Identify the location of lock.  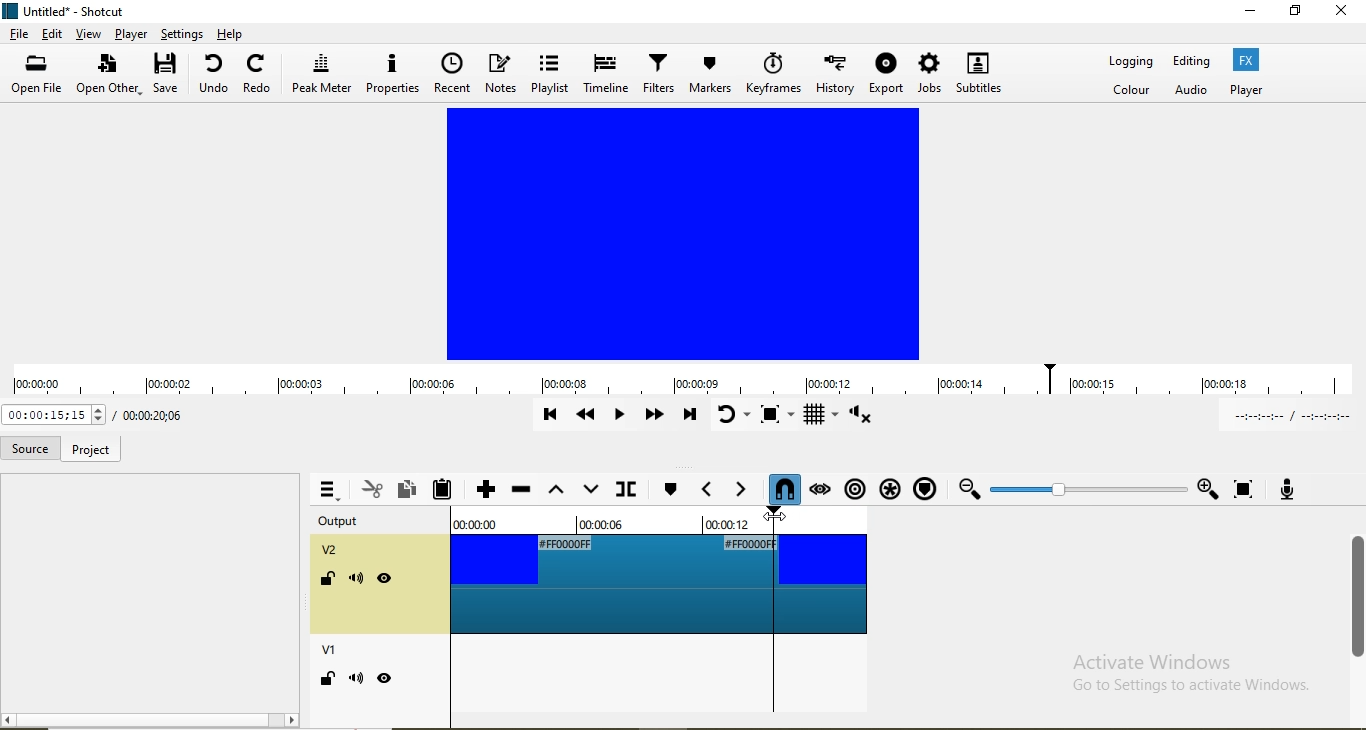
(325, 683).